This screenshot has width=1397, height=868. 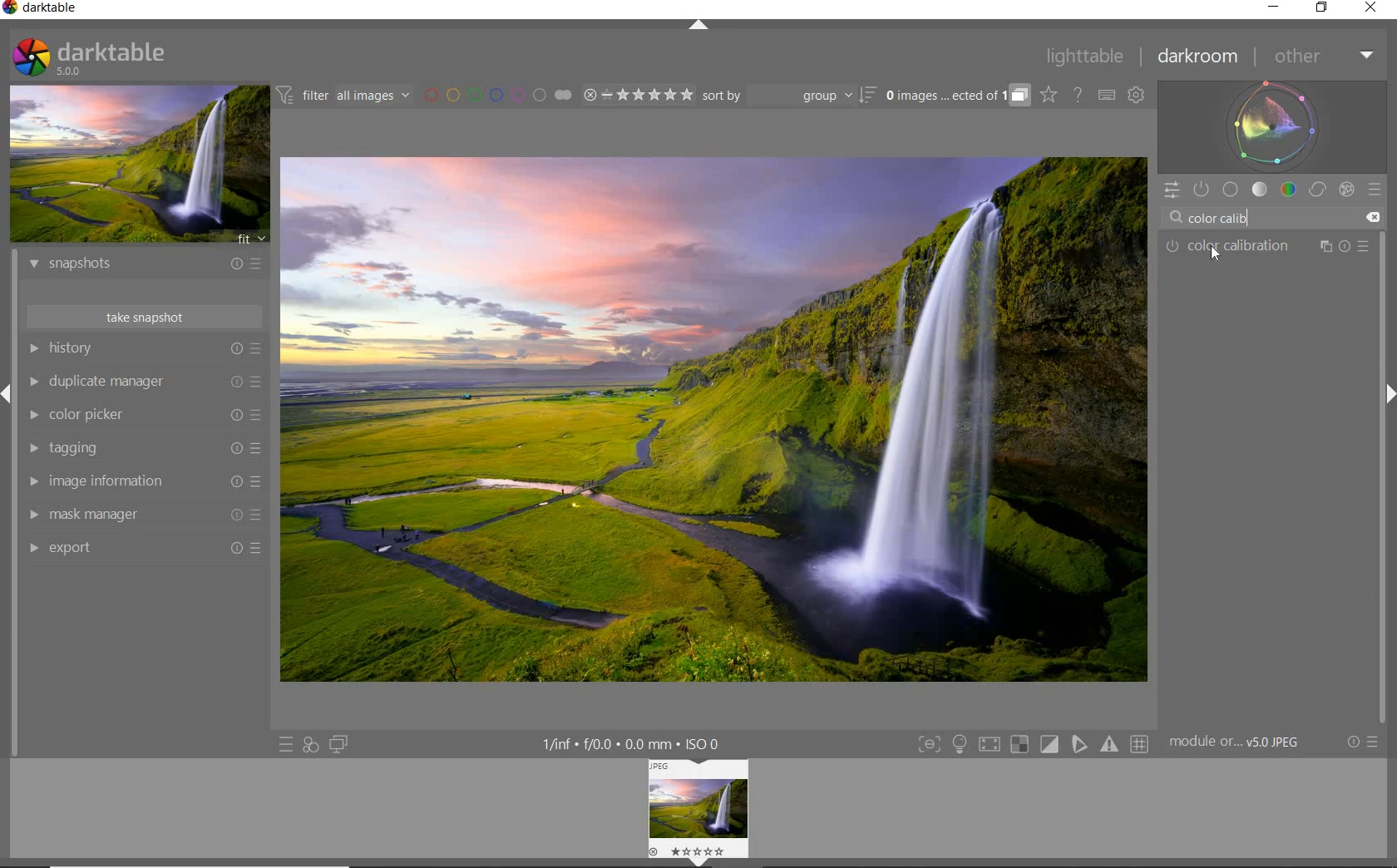 What do you see at coordinates (1202, 190) in the screenshot?
I see `SHOW ONLY ACTIVE MODULES` at bounding box center [1202, 190].